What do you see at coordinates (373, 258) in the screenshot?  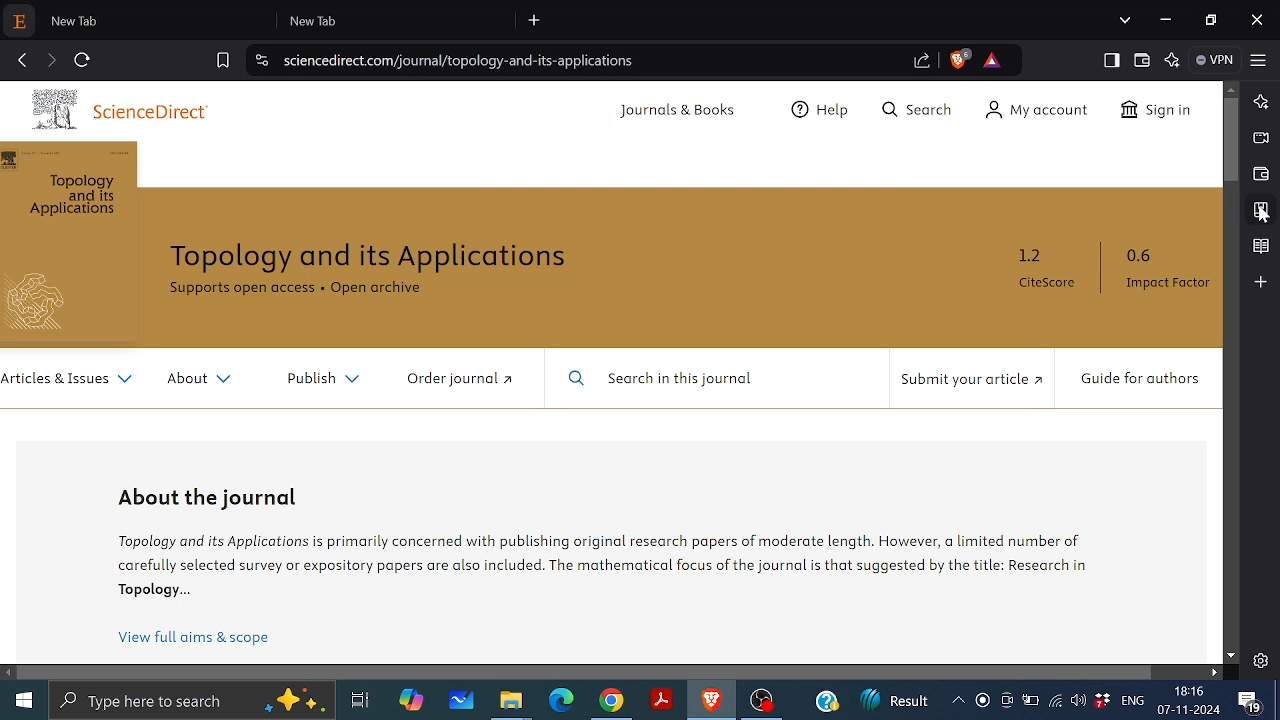 I see `Topology and its applications` at bounding box center [373, 258].